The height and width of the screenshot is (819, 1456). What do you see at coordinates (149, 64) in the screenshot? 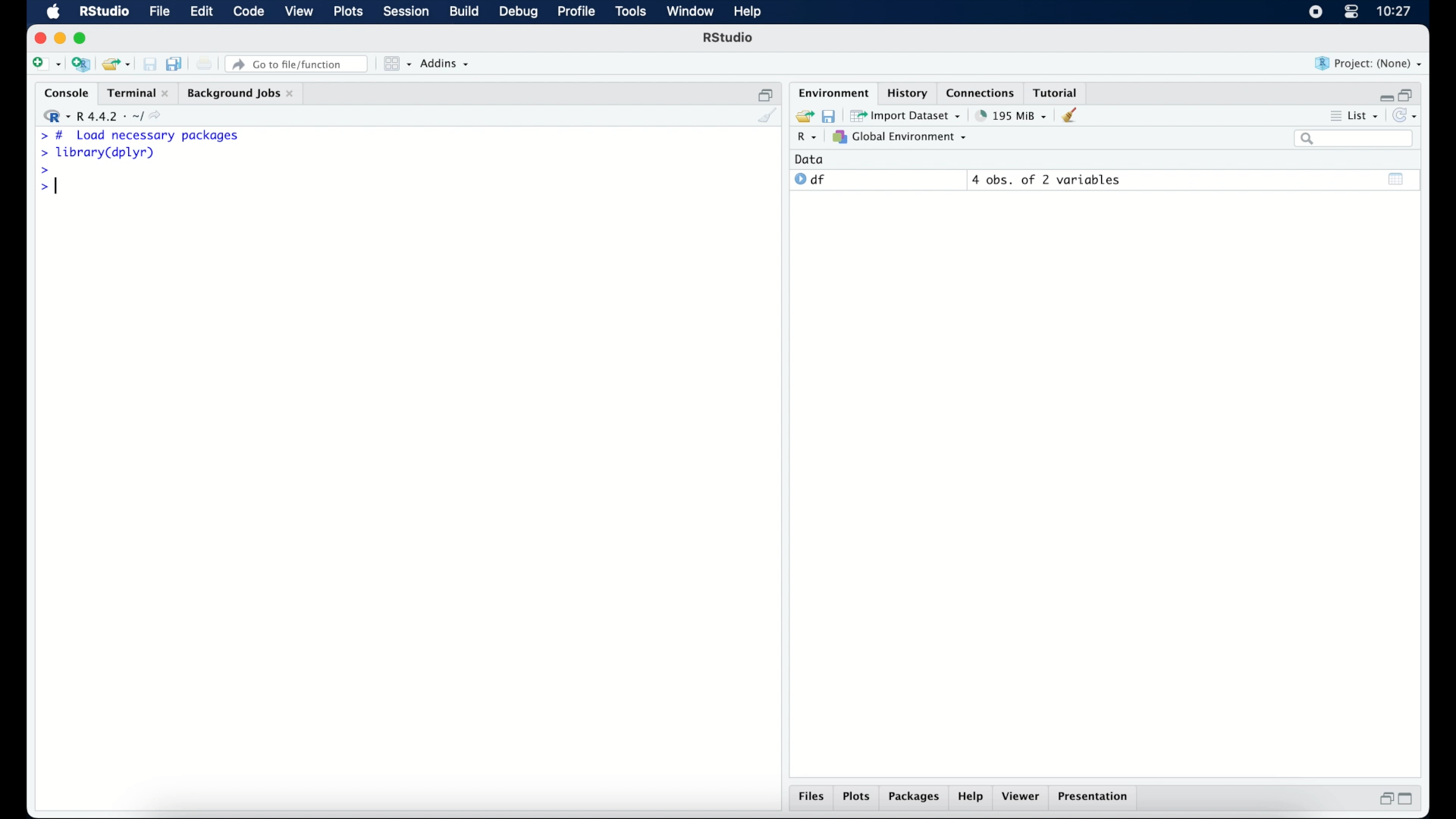
I see `save` at bounding box center [149, 64].